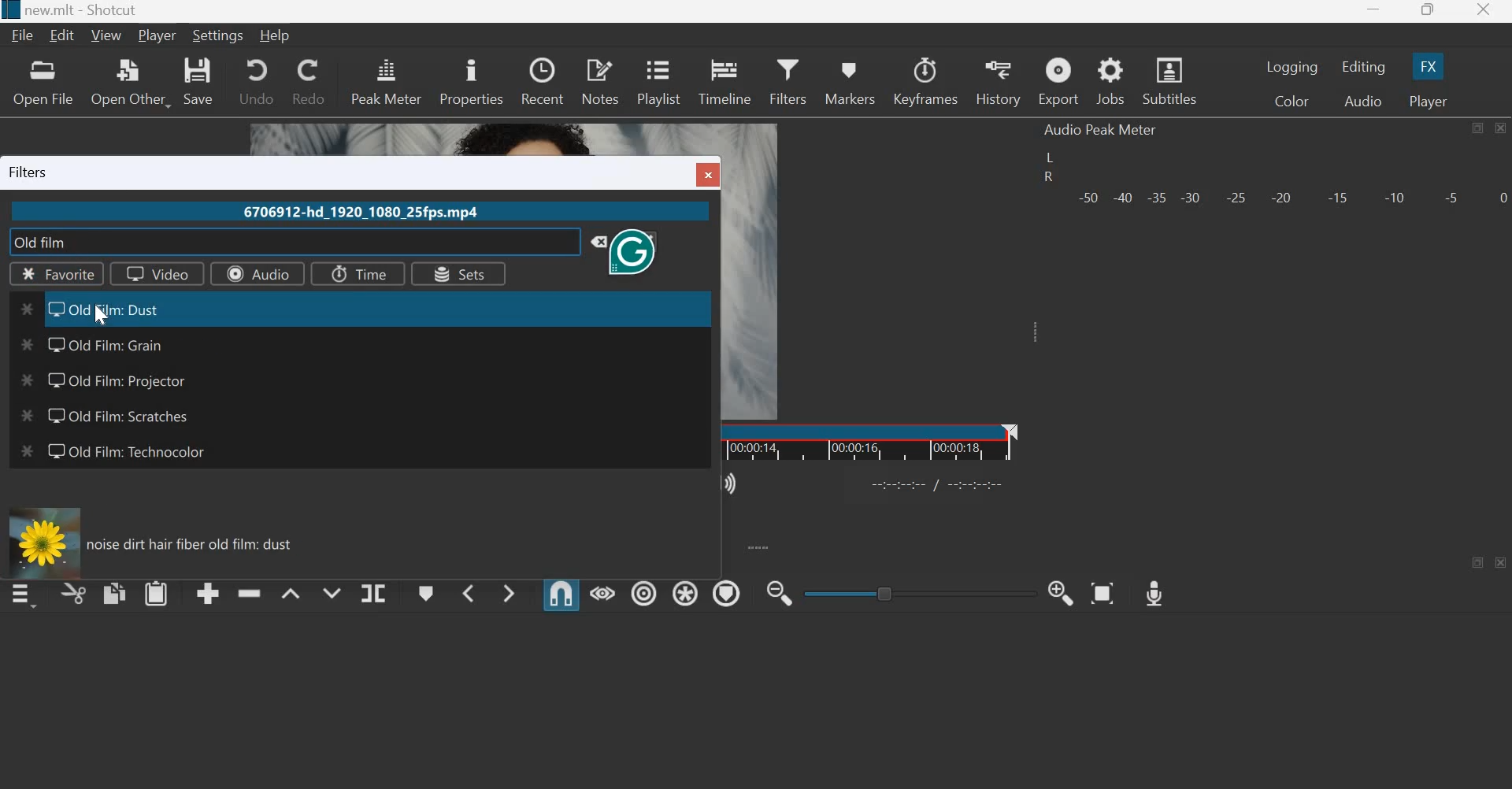 The height and width of the screenshot is (789, 1512). I want to click on Ripple all tracks, so click(682, 591).